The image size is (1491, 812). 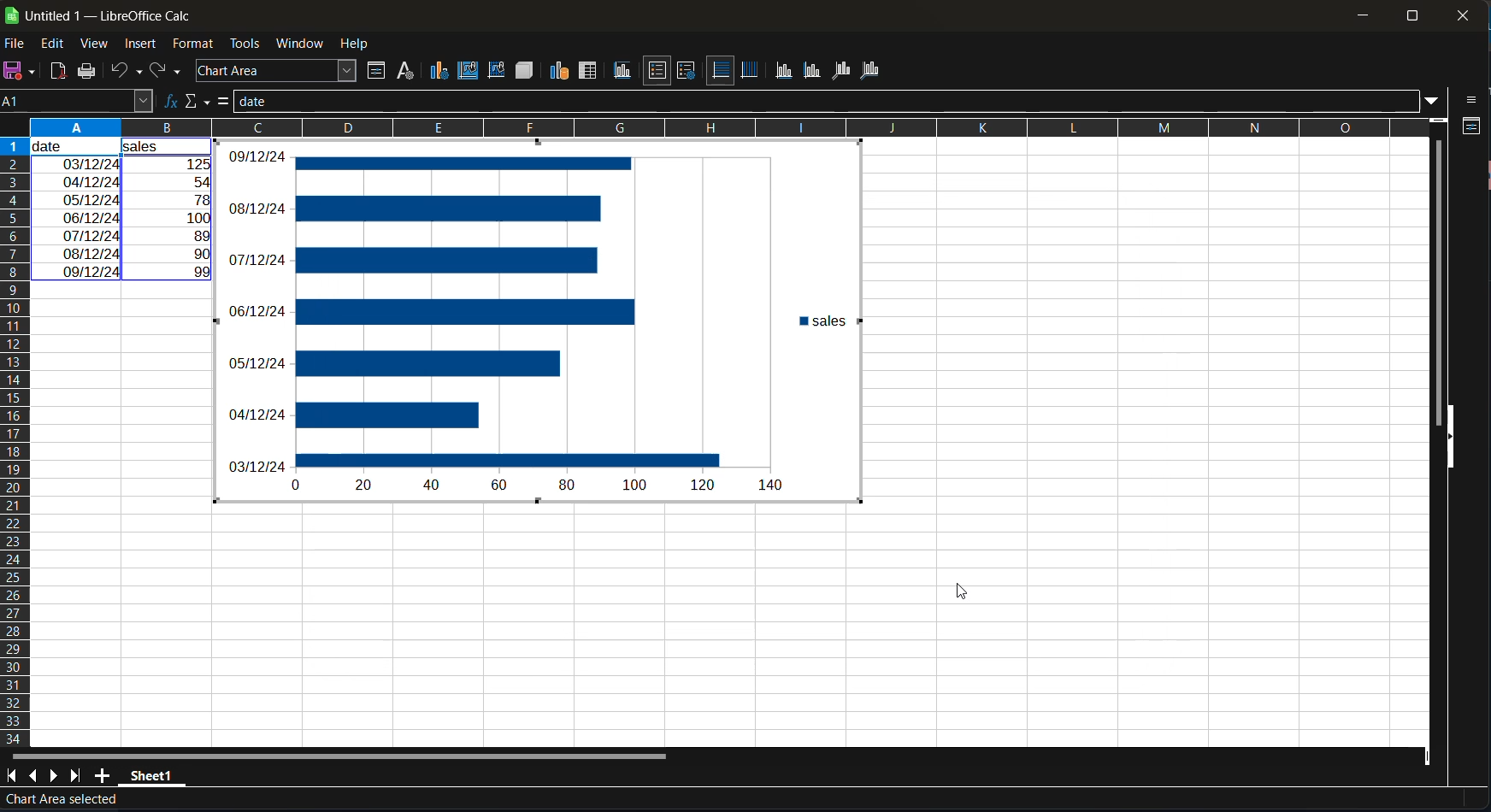 What do you see at coordinates (59, 802) in the screenshot?
I see `Chart area selected` at bounding box center [59, 802].